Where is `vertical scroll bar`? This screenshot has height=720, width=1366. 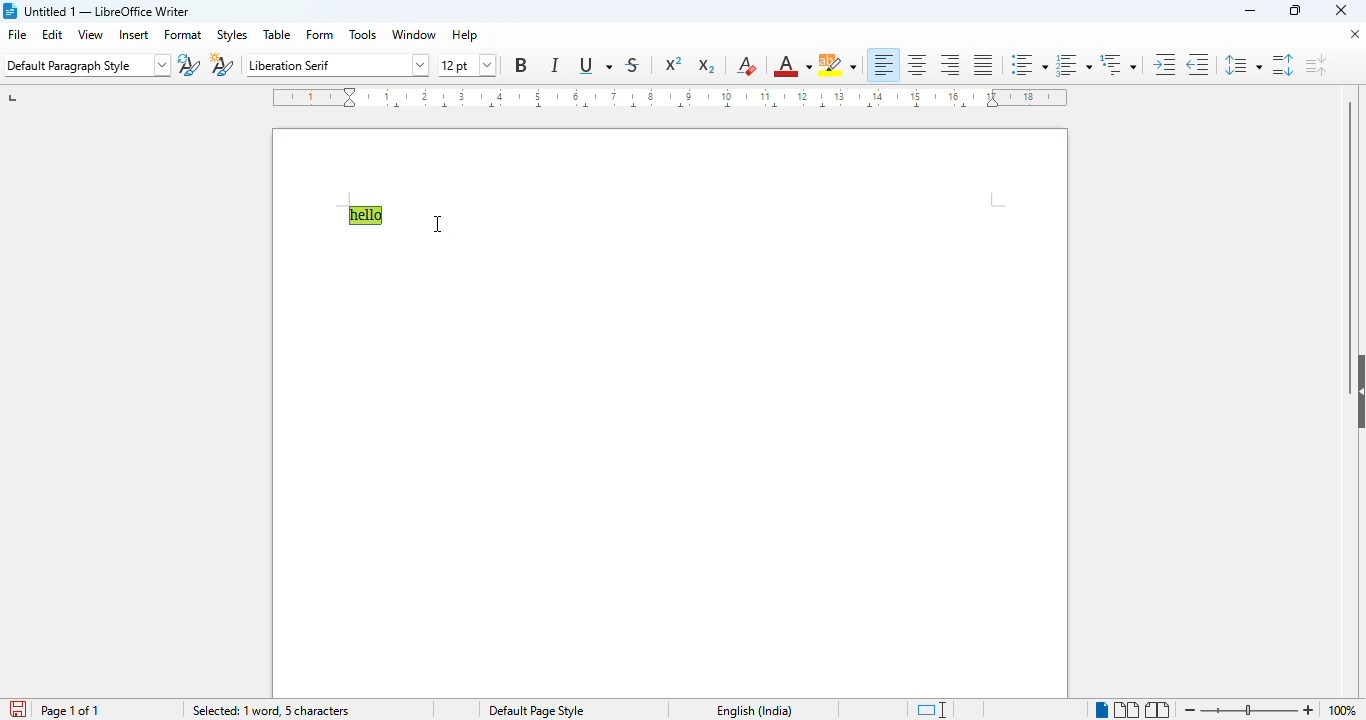
vertical scroll bar is located at coordinates (1354, 214).